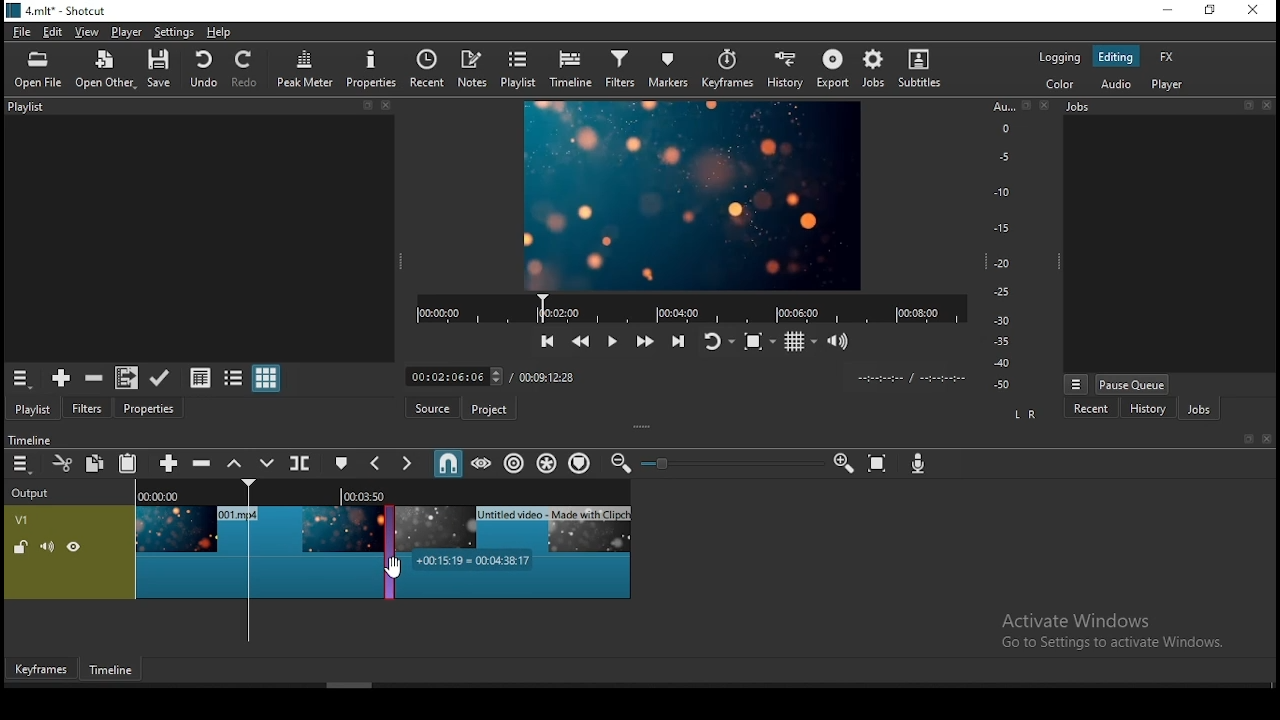  I want to click on markers, so click(674, 68).